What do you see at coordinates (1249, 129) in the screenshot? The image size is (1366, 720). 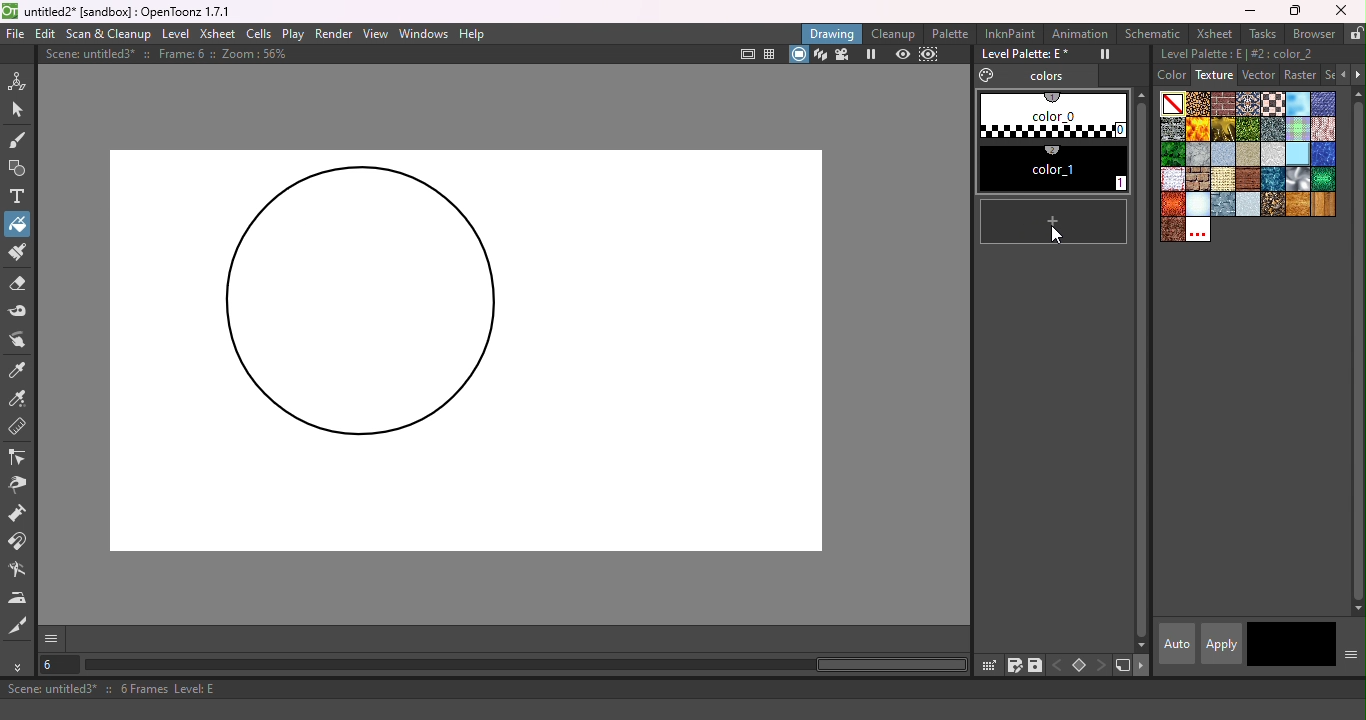 I see `Grass.bmp` at bounding box center [1249, 129].